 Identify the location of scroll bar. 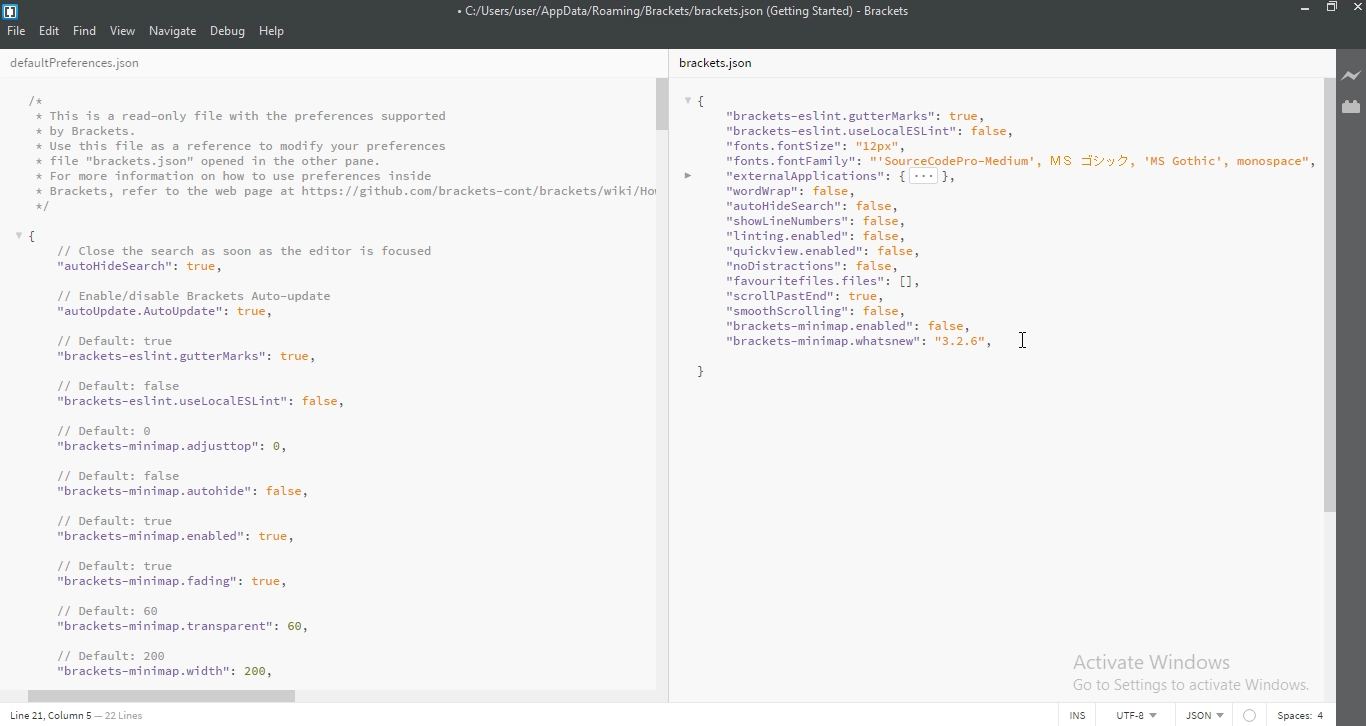
(1329, 301).